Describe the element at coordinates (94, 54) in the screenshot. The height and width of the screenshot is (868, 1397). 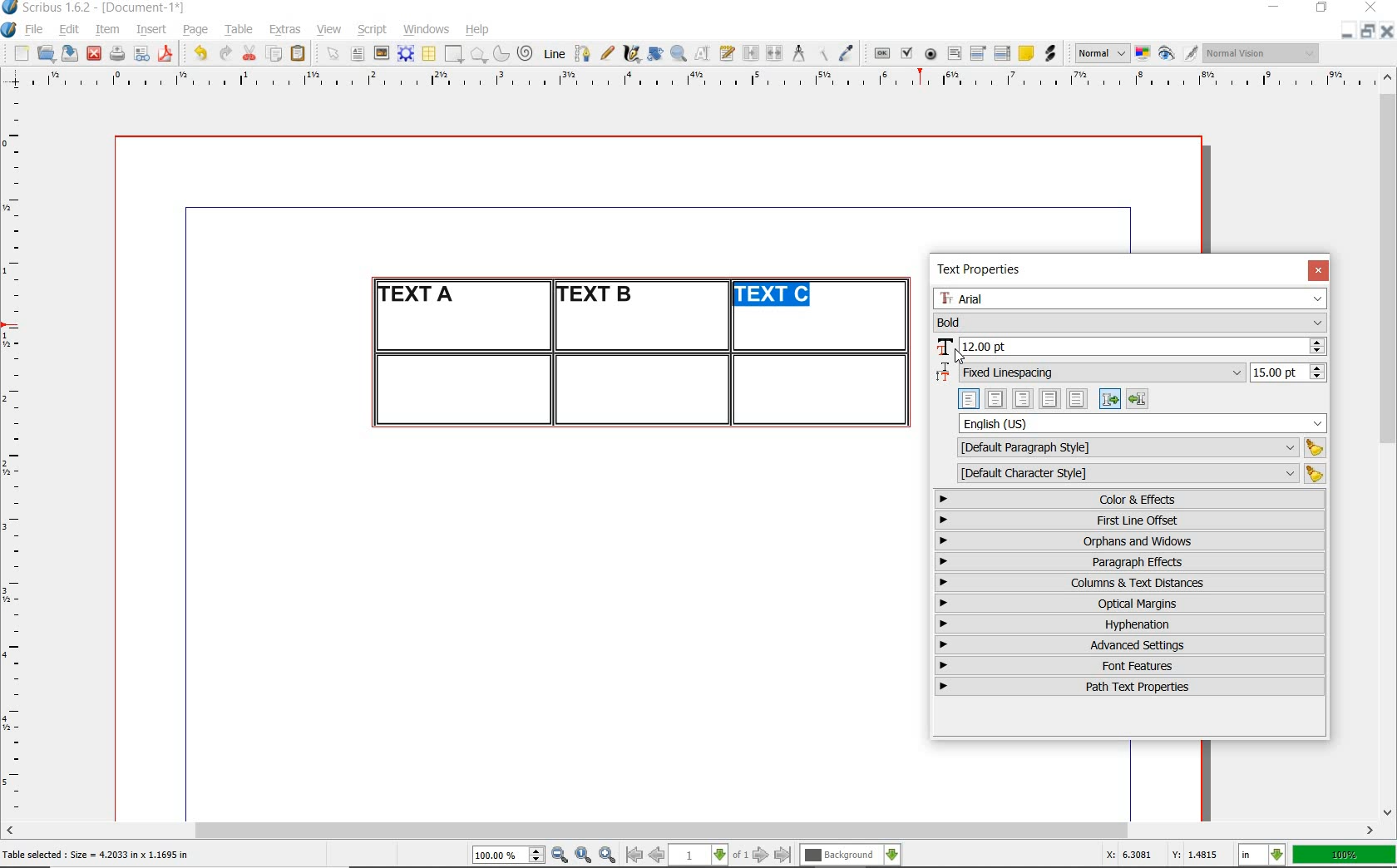
I see `close` at that location.